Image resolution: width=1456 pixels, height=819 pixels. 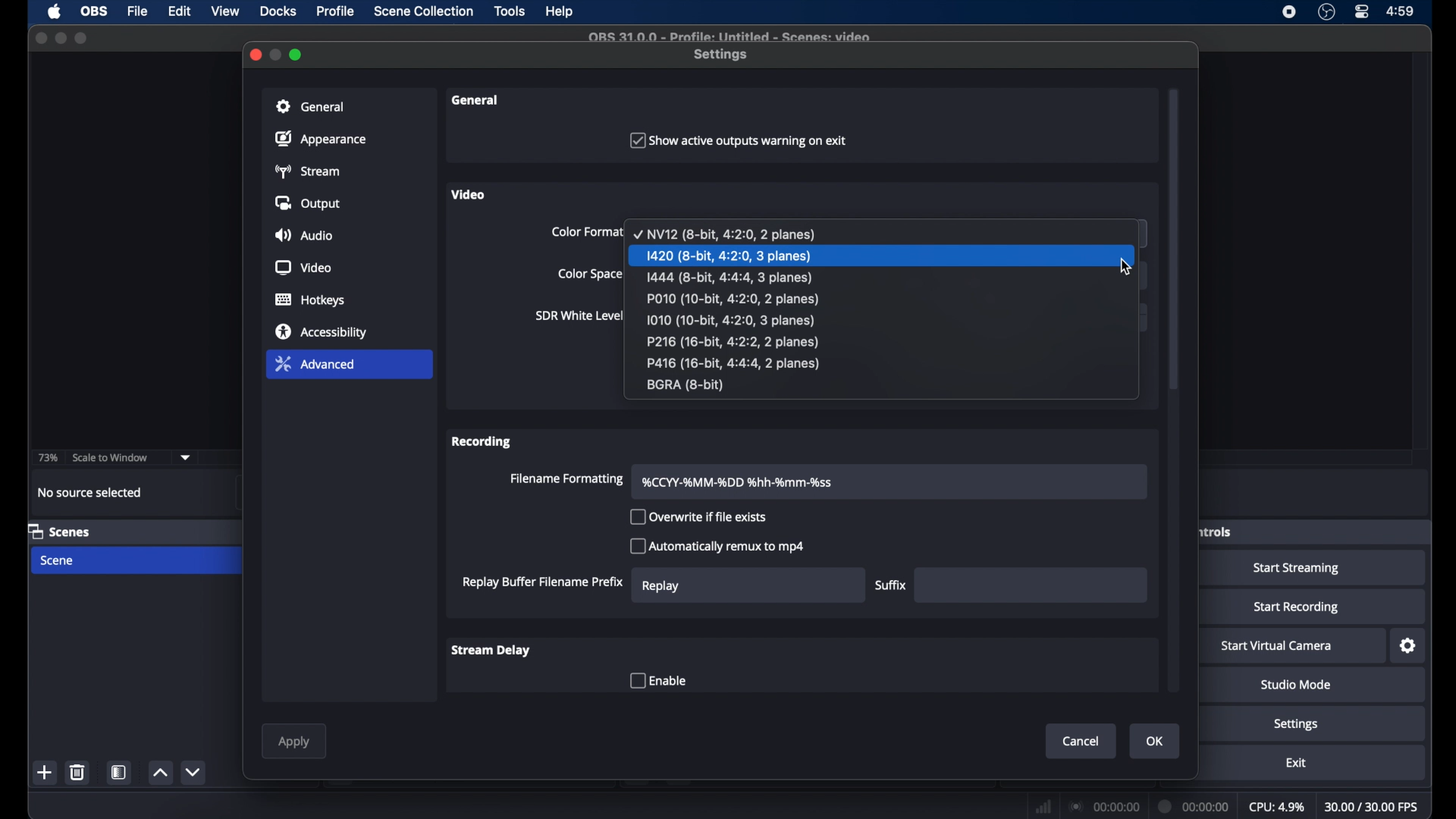 I want to click on no source selected, so click(x=89, y=491).